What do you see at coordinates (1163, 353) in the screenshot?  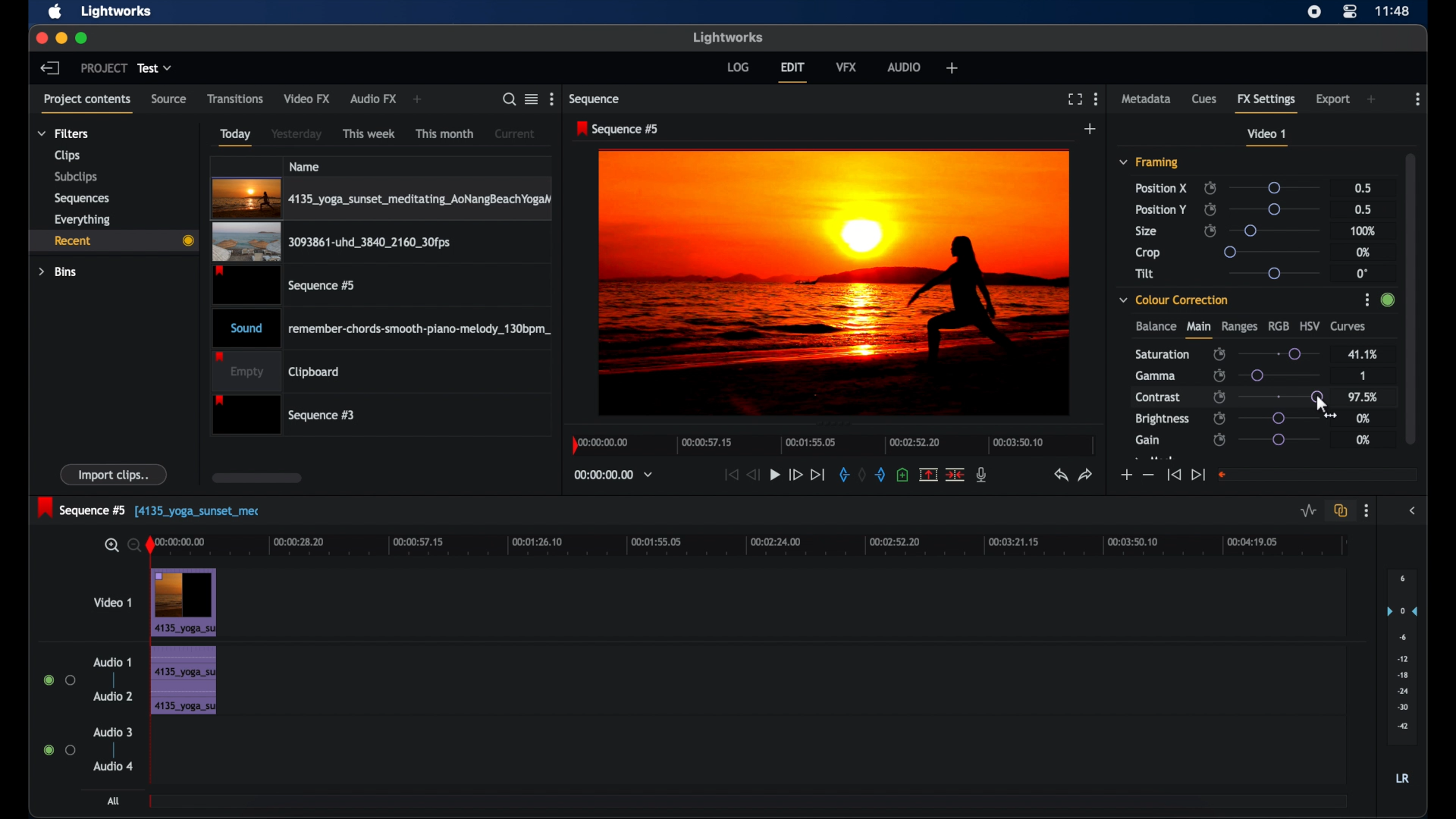 I see `saturation` at bounding box center [1163, 353].